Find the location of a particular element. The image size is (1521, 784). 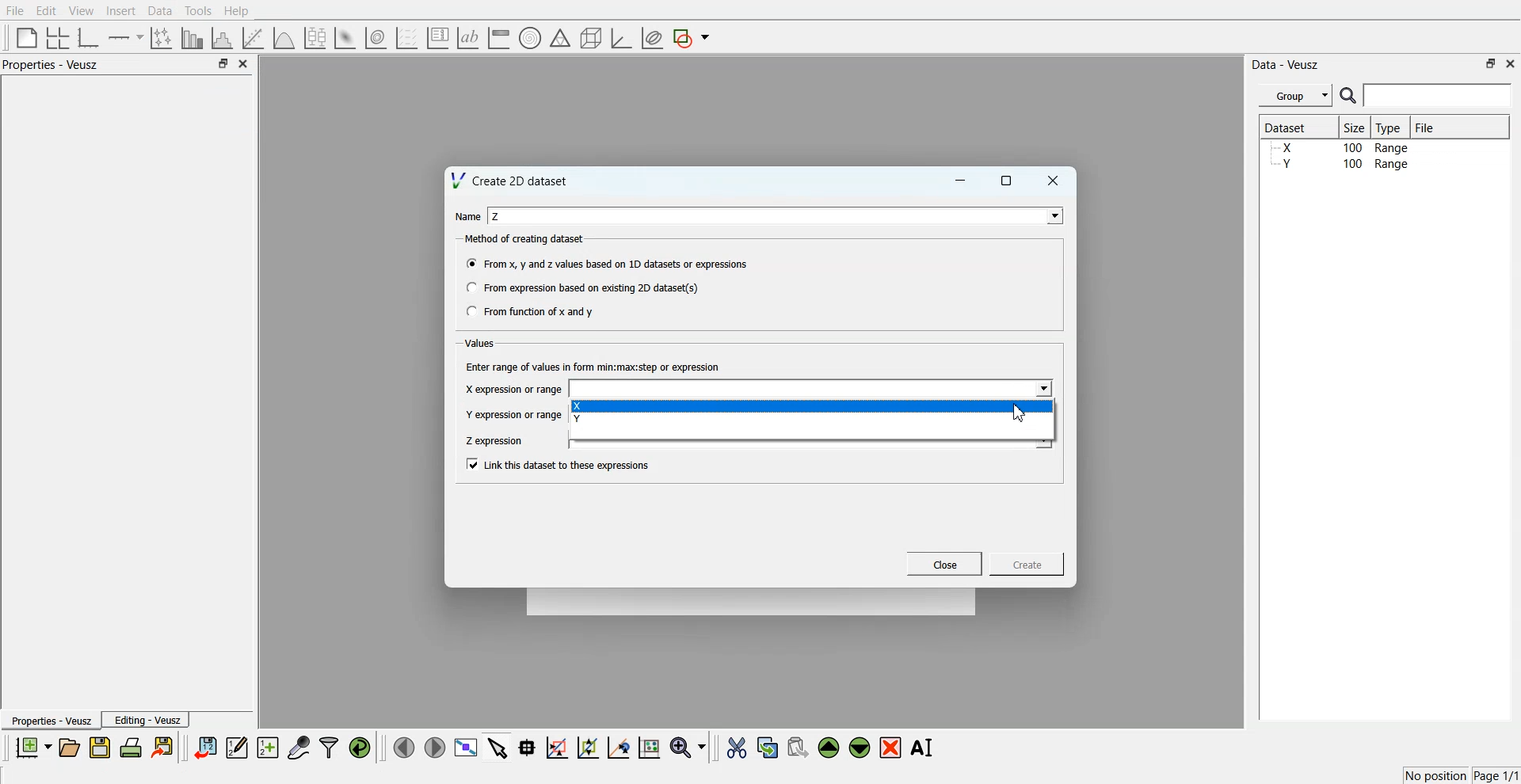

Minimize is located at coordinates (960, 181).